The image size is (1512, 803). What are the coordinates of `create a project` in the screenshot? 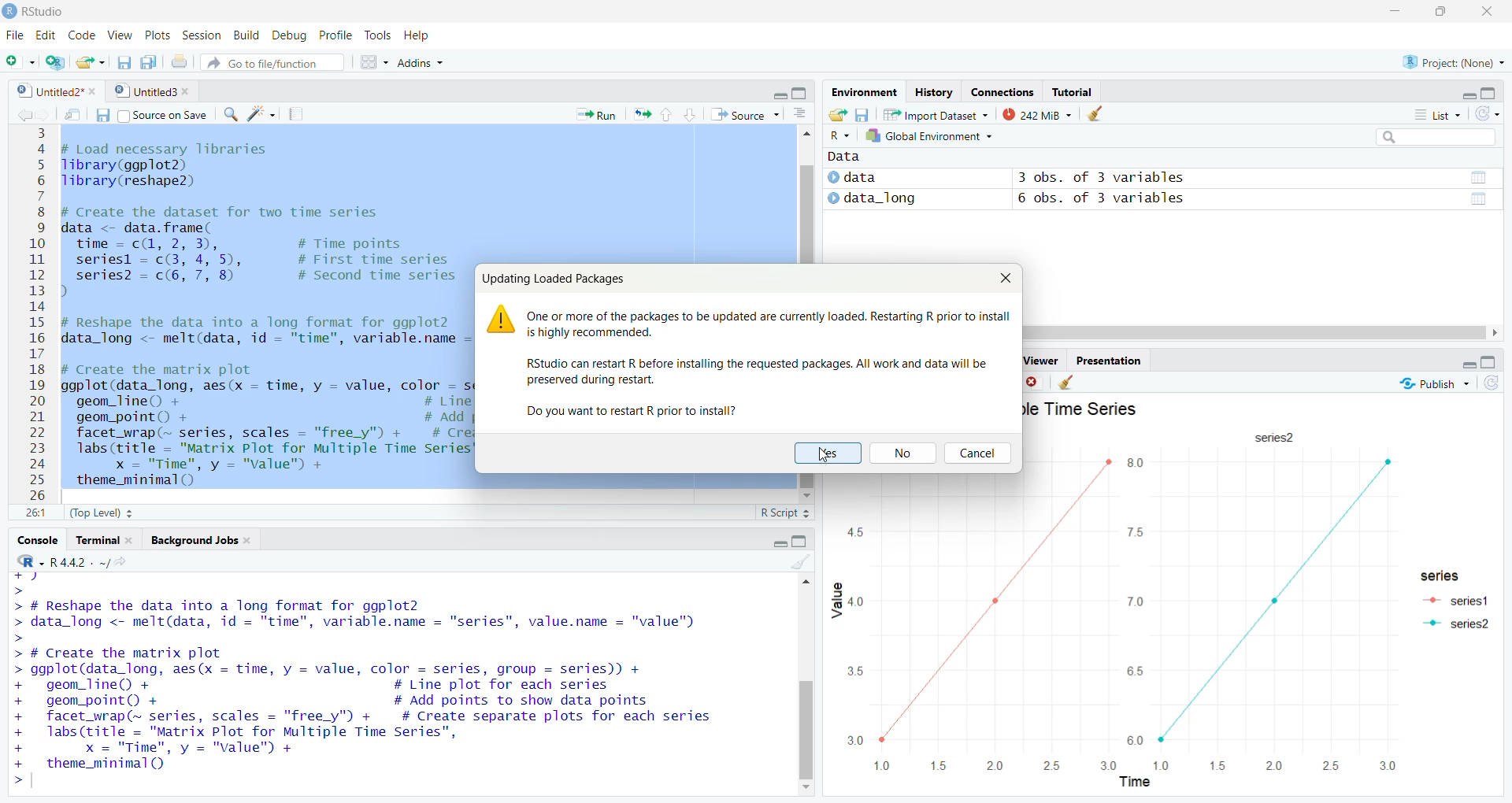 It's located at (54, 61).